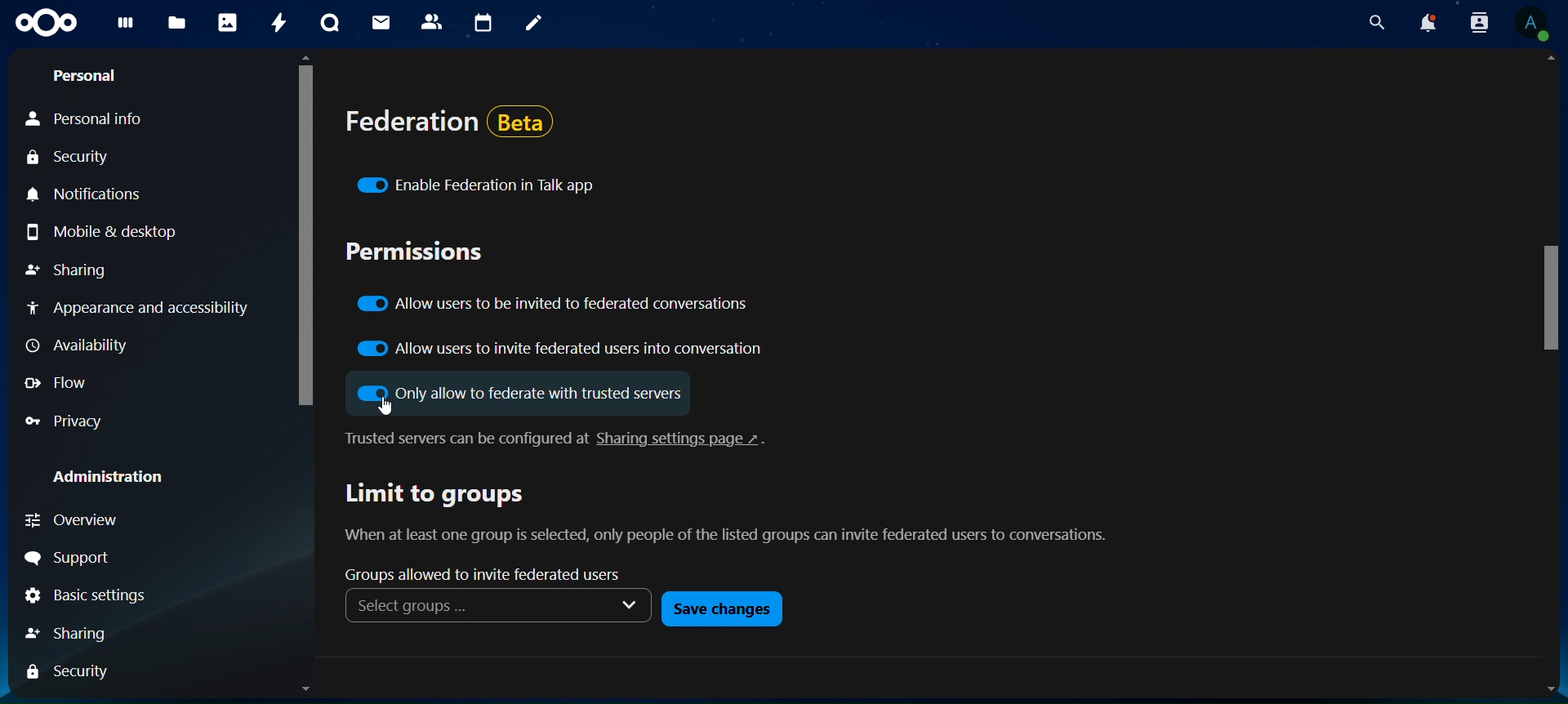 The image size is (1568, 704). What do you see at coordinates (68, 635) in the screenshot?
I see `sharing` at bounding box center [68, 635].